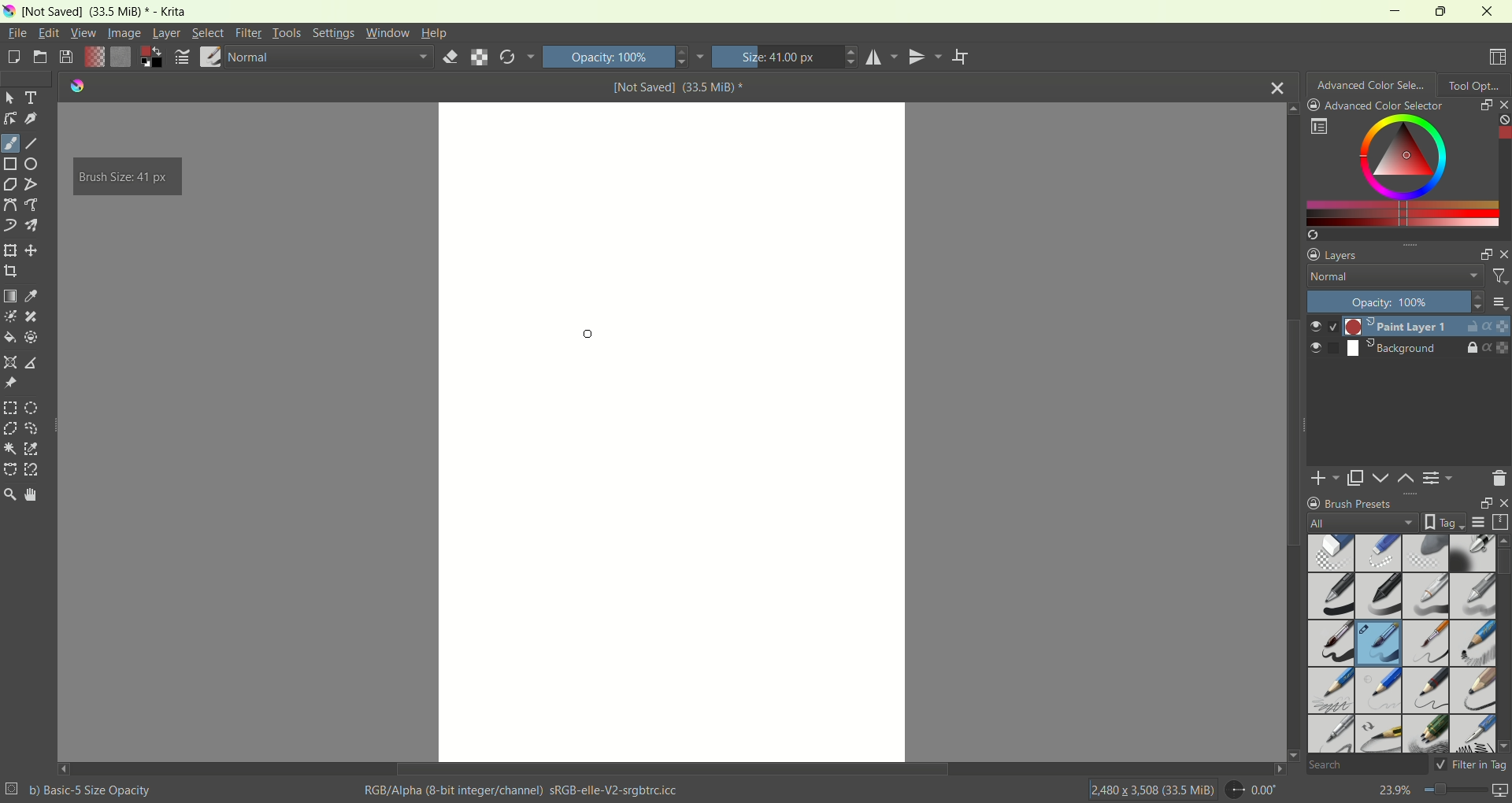 The width and height of the screenshot is (1512, 803). Describe the element at coordinates (1472, 688) in the screenshot. I see `pencil 3 large 4 b` at that location.